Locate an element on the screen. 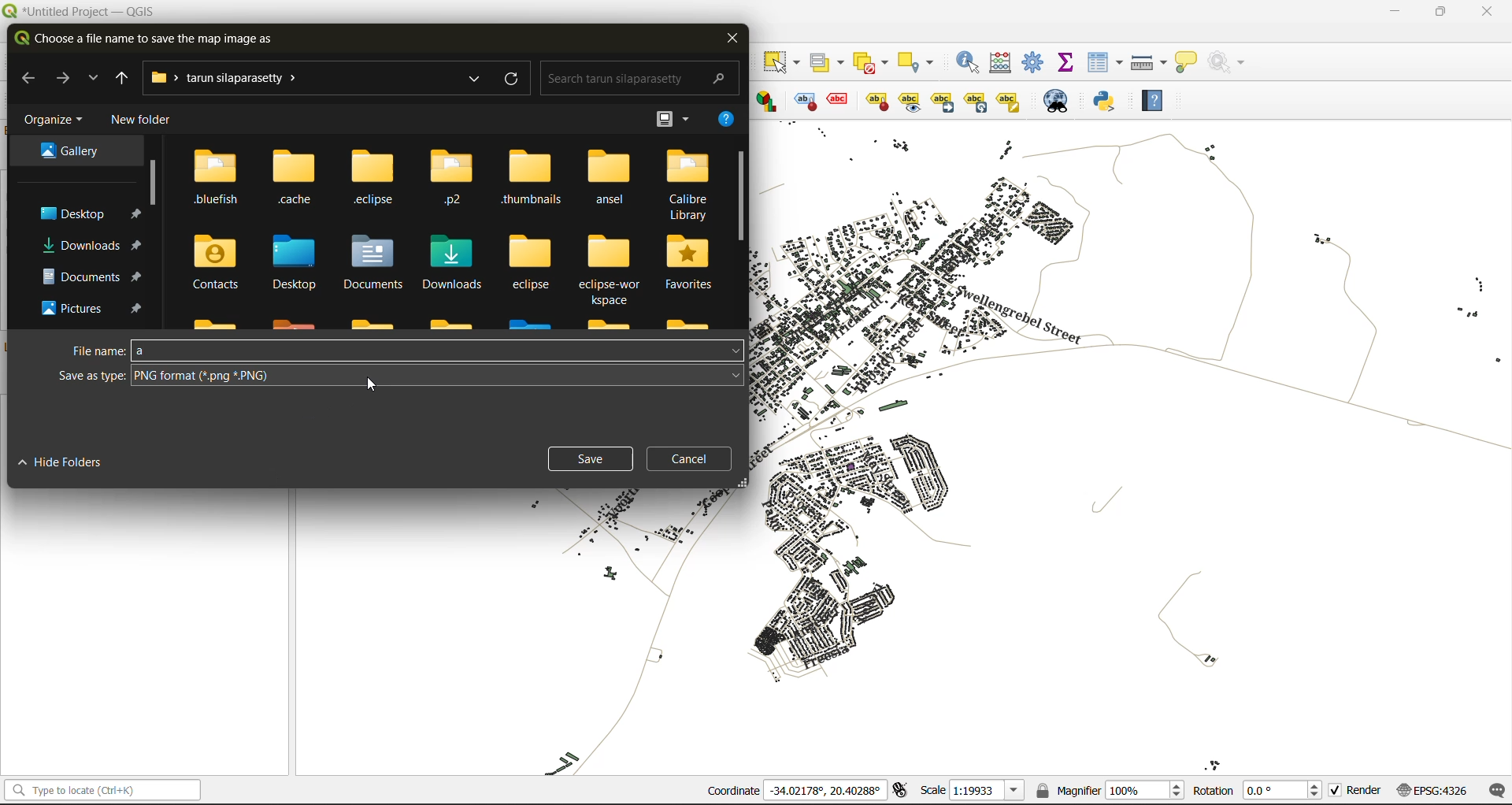 The height and width of the screenshot is (805, 1512). toolbox is located at coordinates (1036, 63).